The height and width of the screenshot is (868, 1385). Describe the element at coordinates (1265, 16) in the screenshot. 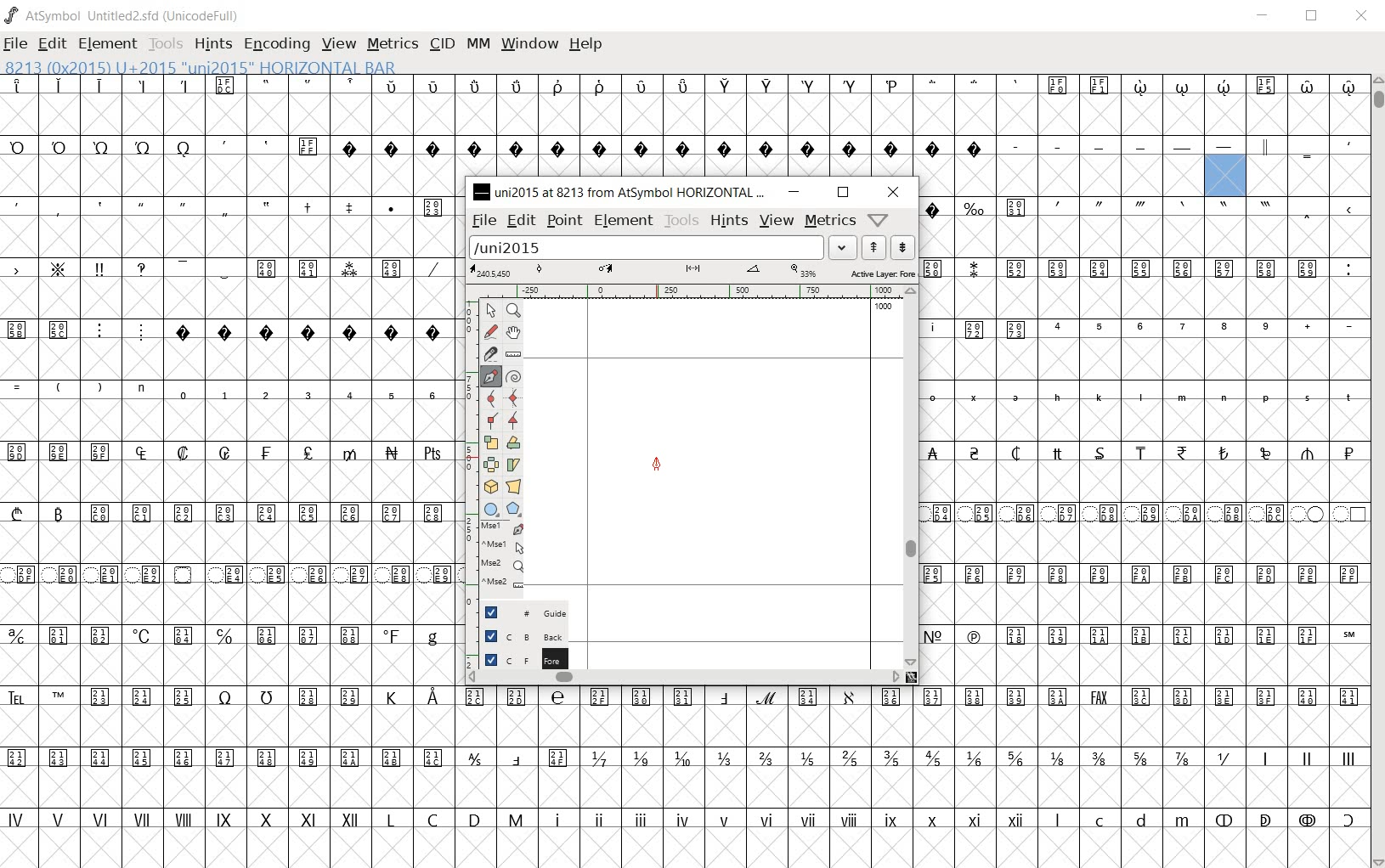

I see `MINIMIZE` at that location.